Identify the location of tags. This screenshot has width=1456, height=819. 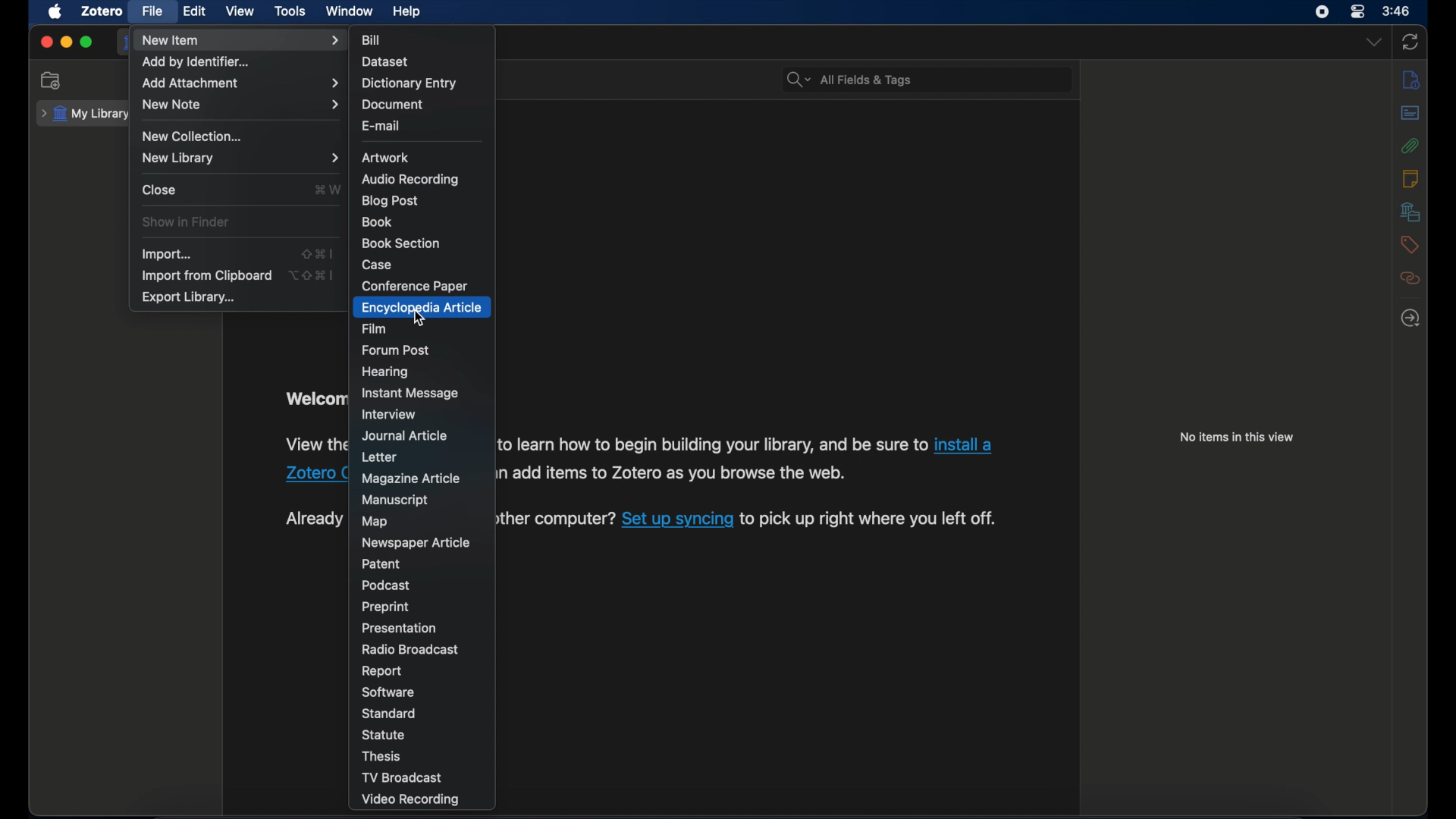
(1410, 245).